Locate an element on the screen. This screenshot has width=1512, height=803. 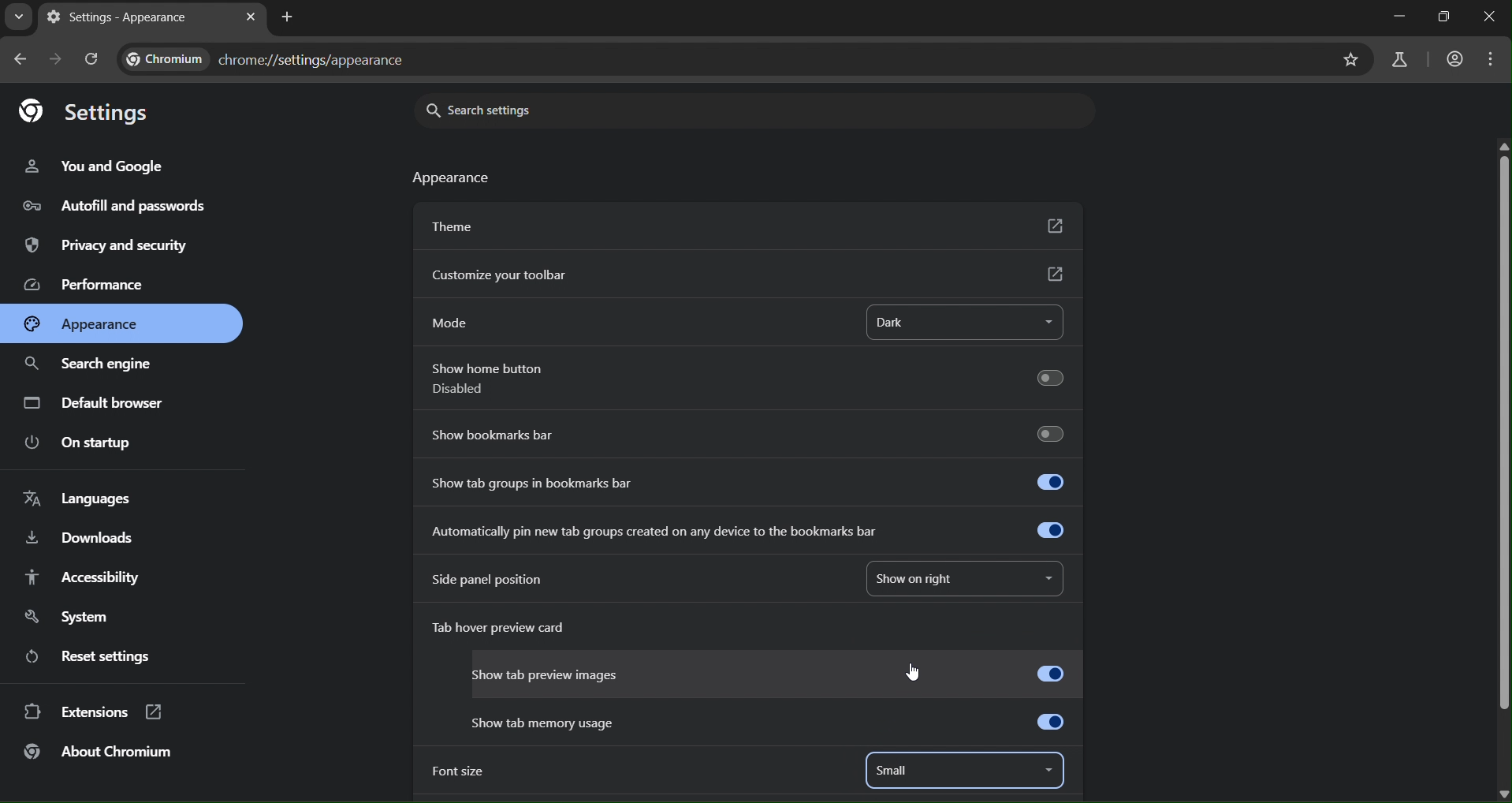
show on right is located at coordinates (957, 581).